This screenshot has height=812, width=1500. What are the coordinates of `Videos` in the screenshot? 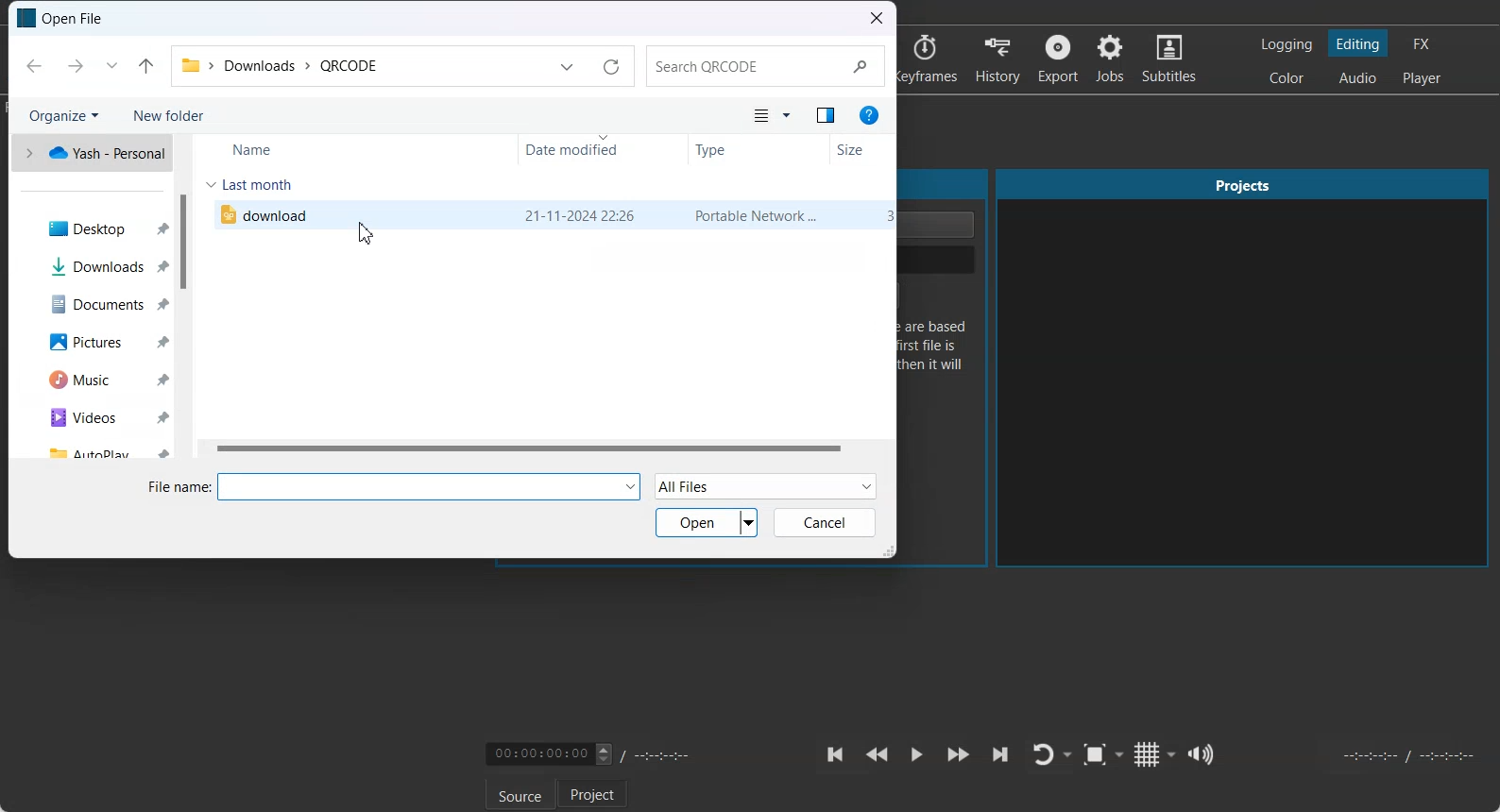 It's located at (90, 417).